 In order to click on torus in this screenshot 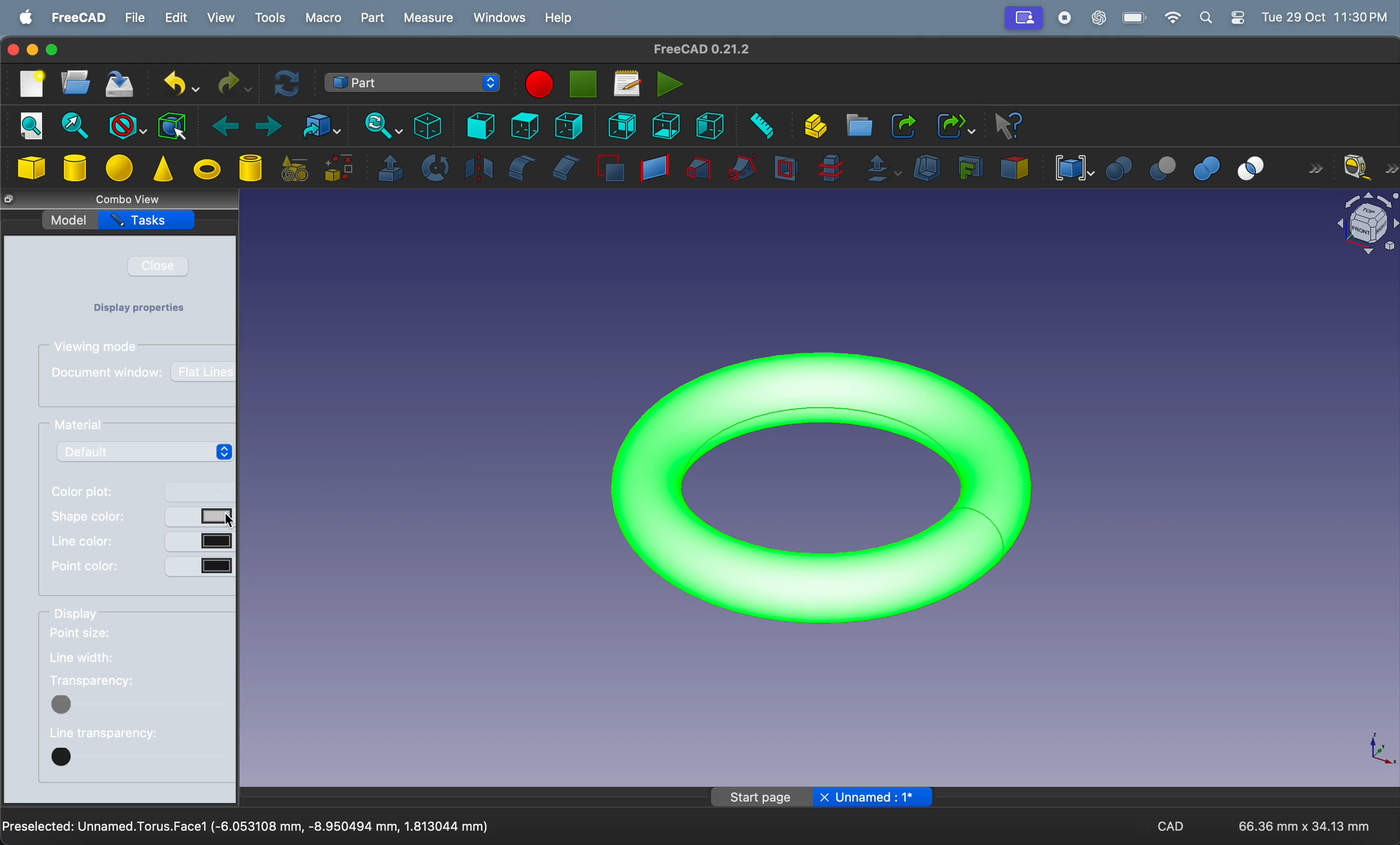, I will do `click(818, 491)`.